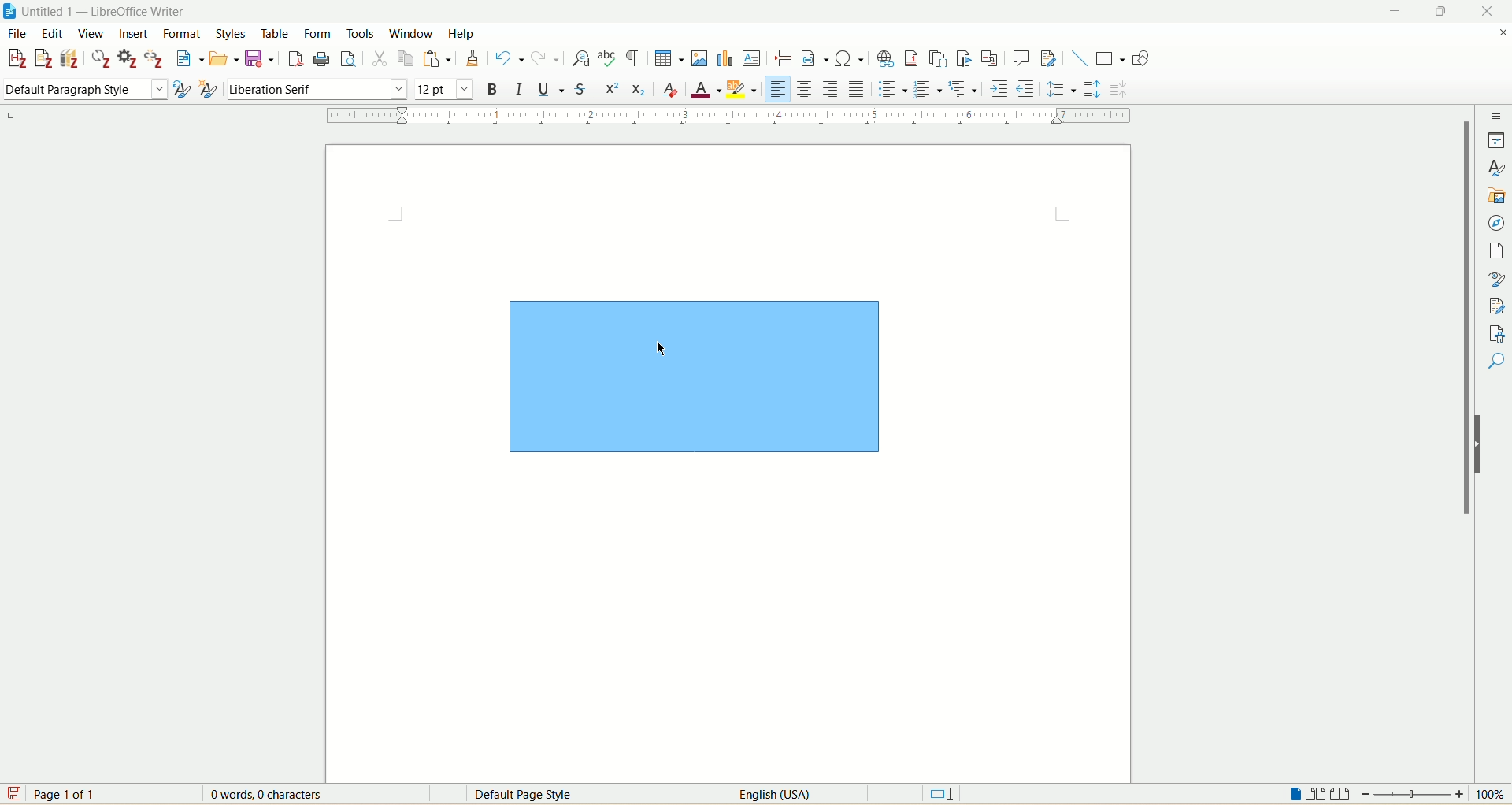 This screenshot has height=805, width=1512. I want to click on update selected style, so click(182, 90).